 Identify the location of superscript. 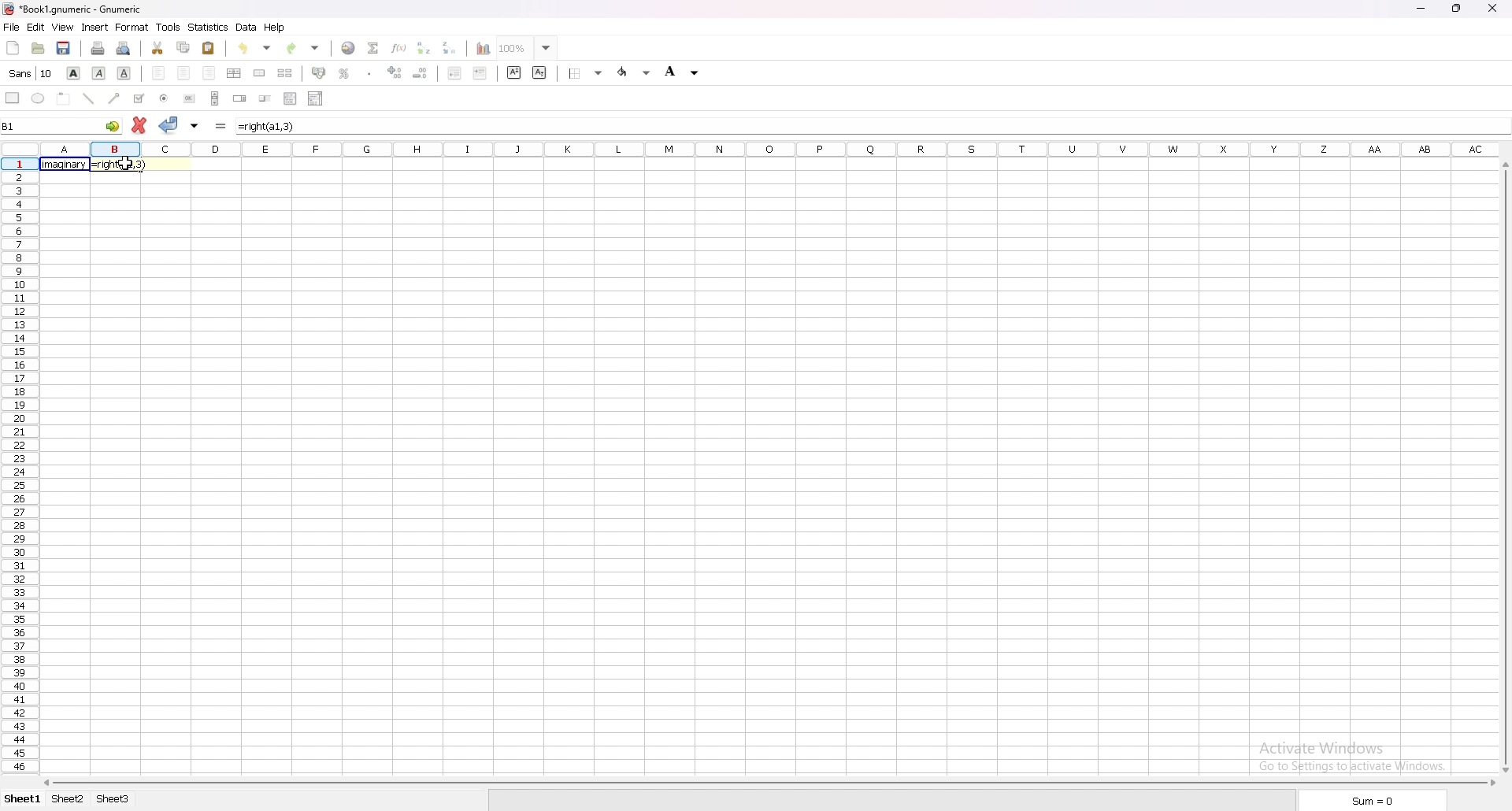
(514, 72).